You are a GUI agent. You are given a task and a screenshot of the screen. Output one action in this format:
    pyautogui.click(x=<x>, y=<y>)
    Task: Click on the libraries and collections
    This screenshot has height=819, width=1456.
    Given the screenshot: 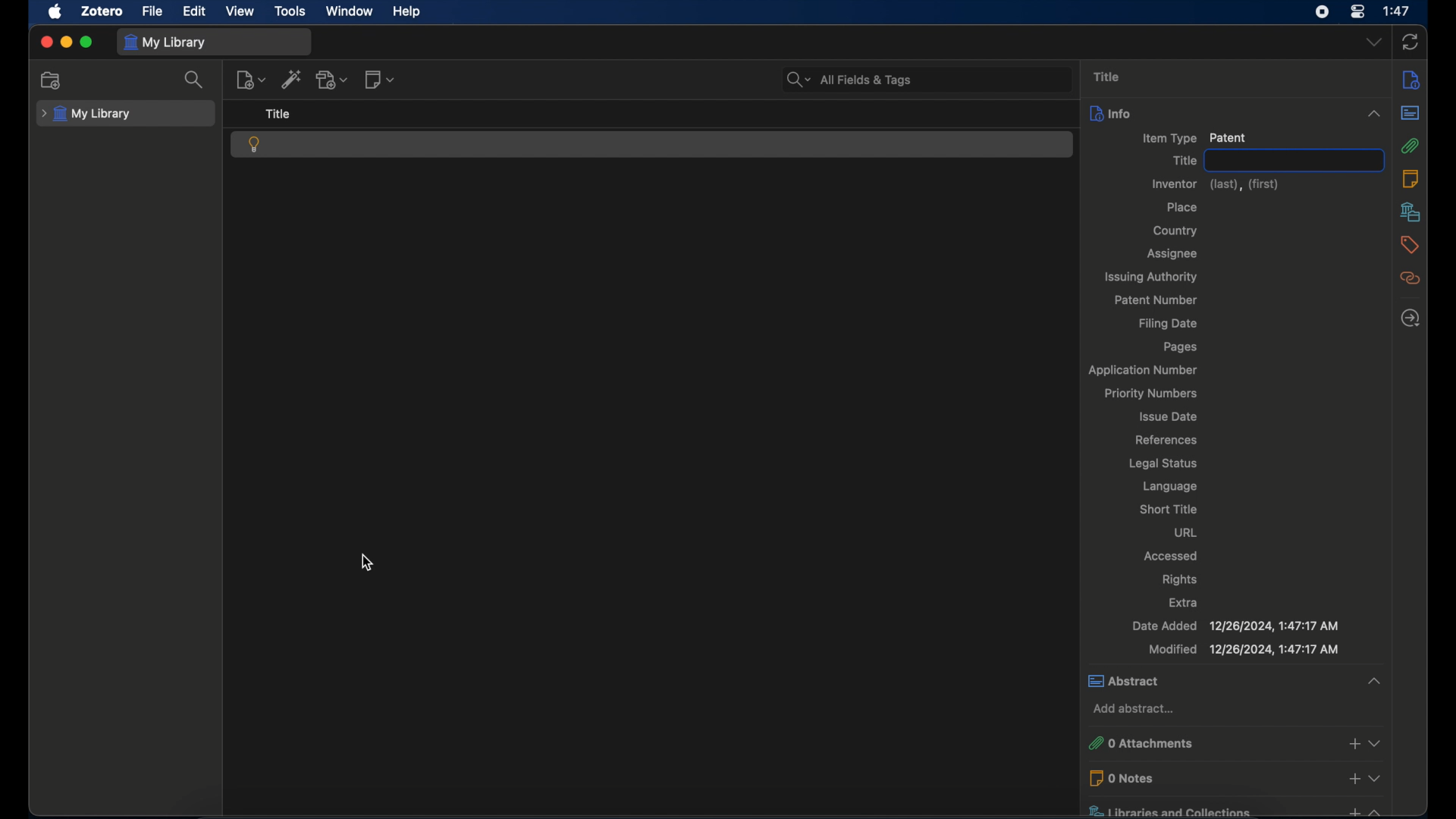 What is the action you would take?
    pyautogui.click(x=1178, y=808)
    